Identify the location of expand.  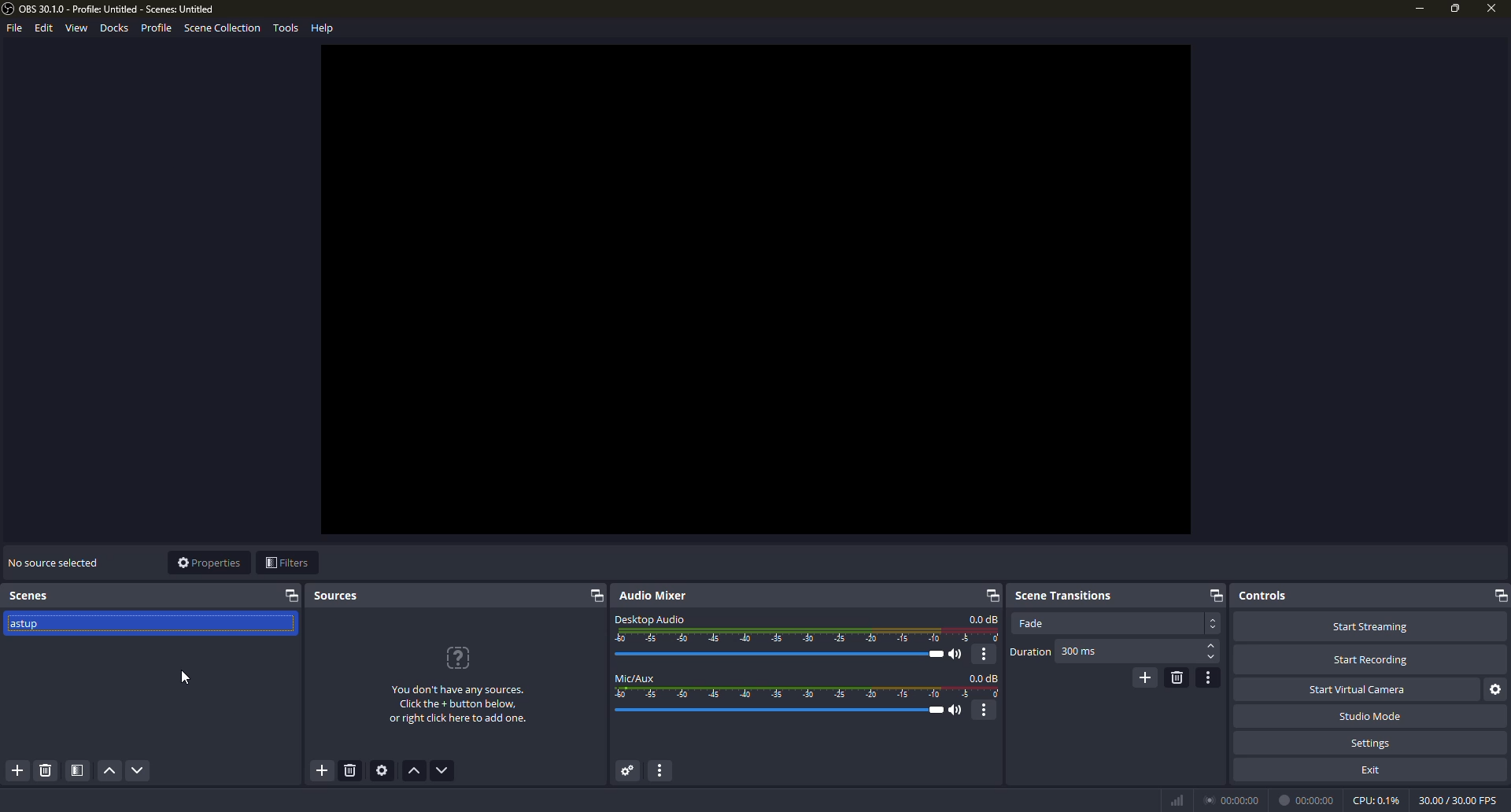
(1498, 596).